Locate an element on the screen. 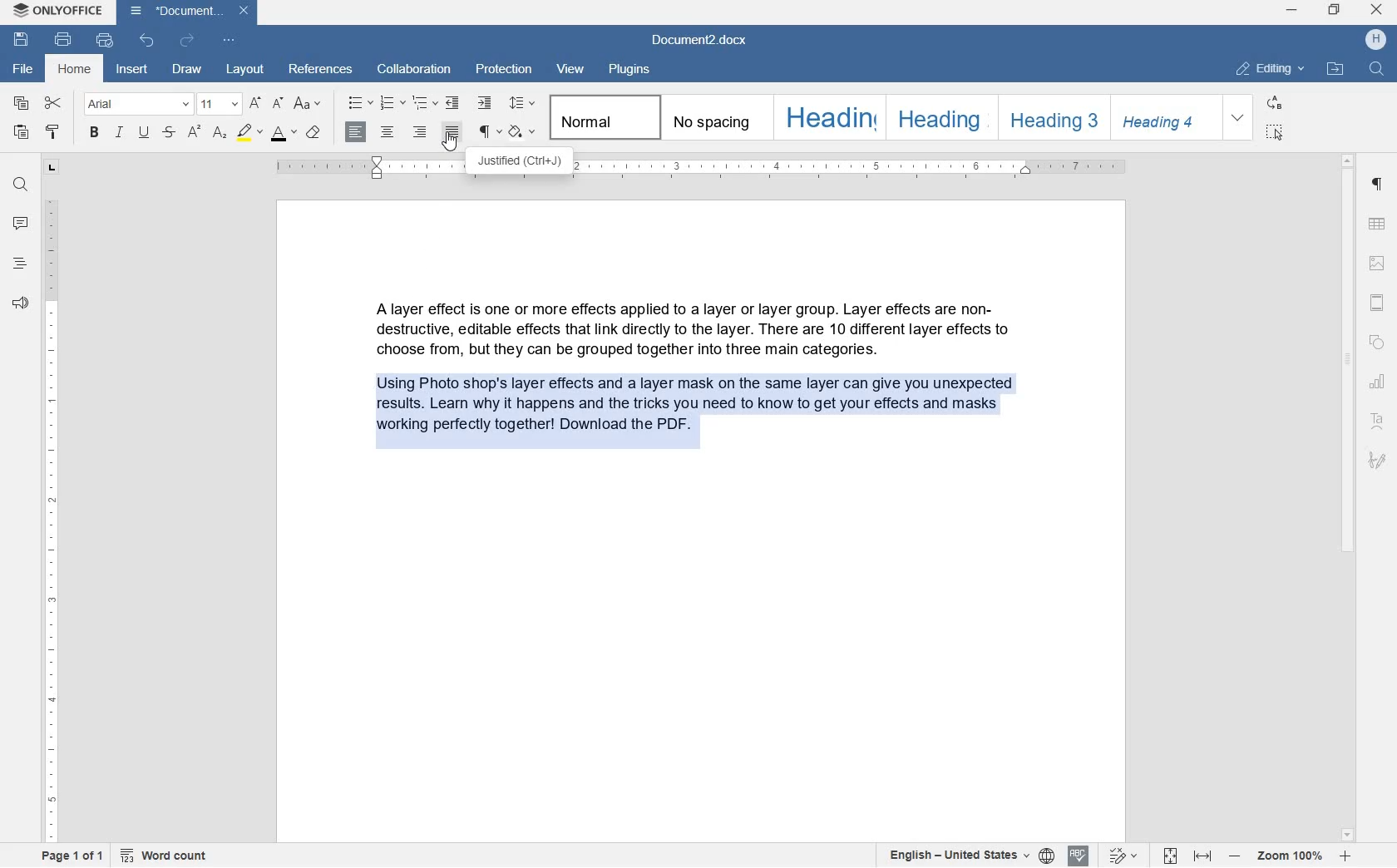  COPY STYLE is located at coordinates (55, 133).